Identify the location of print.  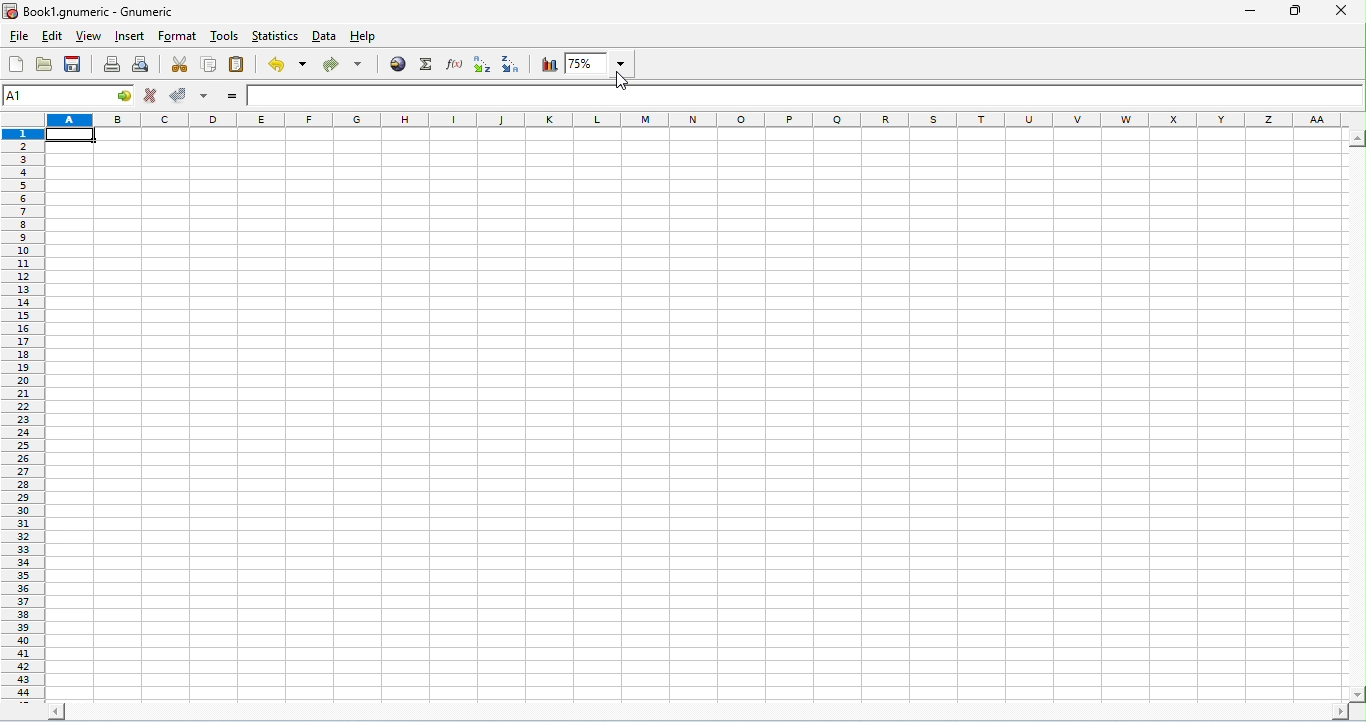
(111, 64).